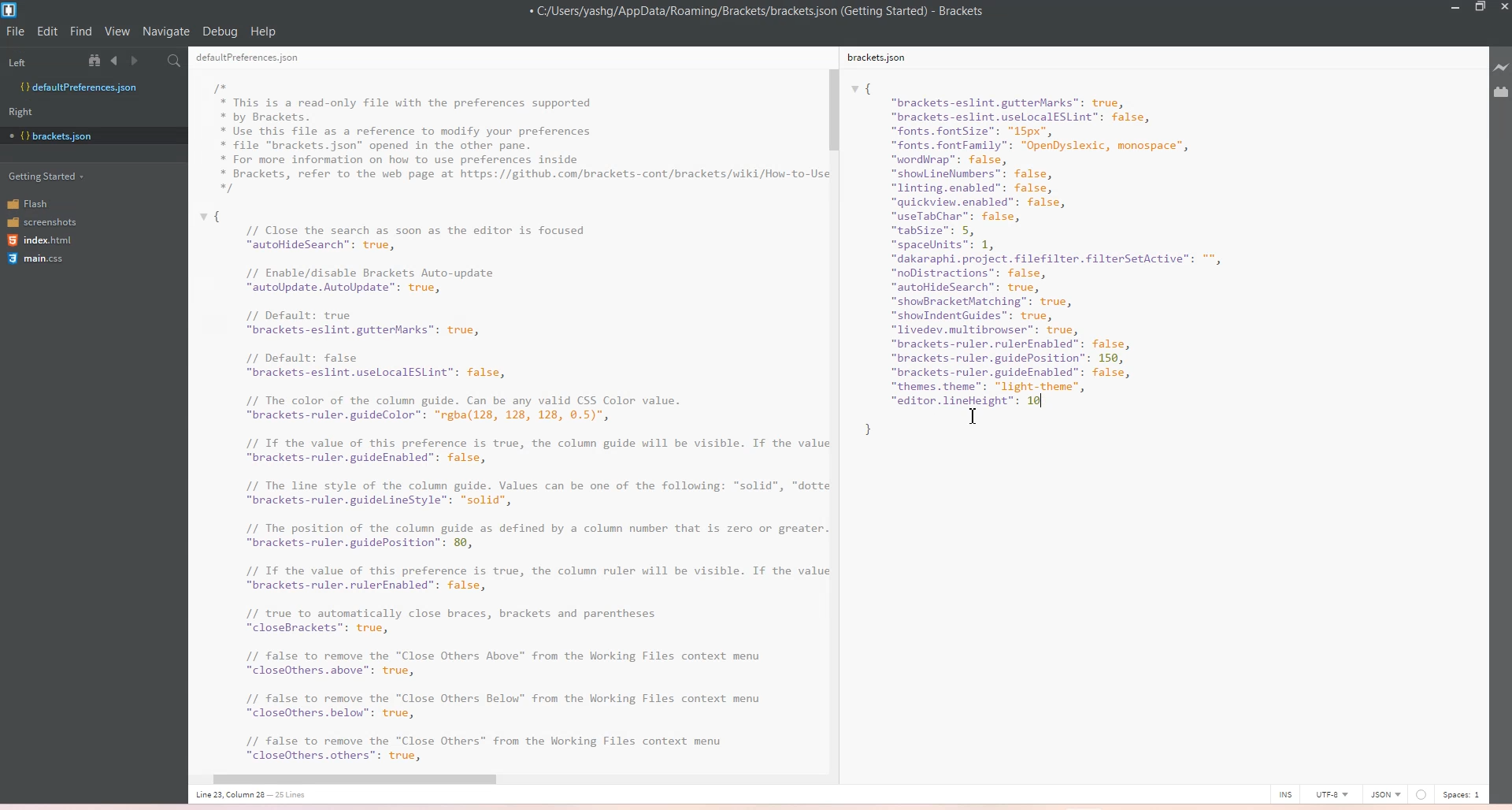 This screenshot has height=810, width=1512. What do you see at coordinates (263, 32) in the screenshot?
I see `Help` at bounding box center [263, 32].